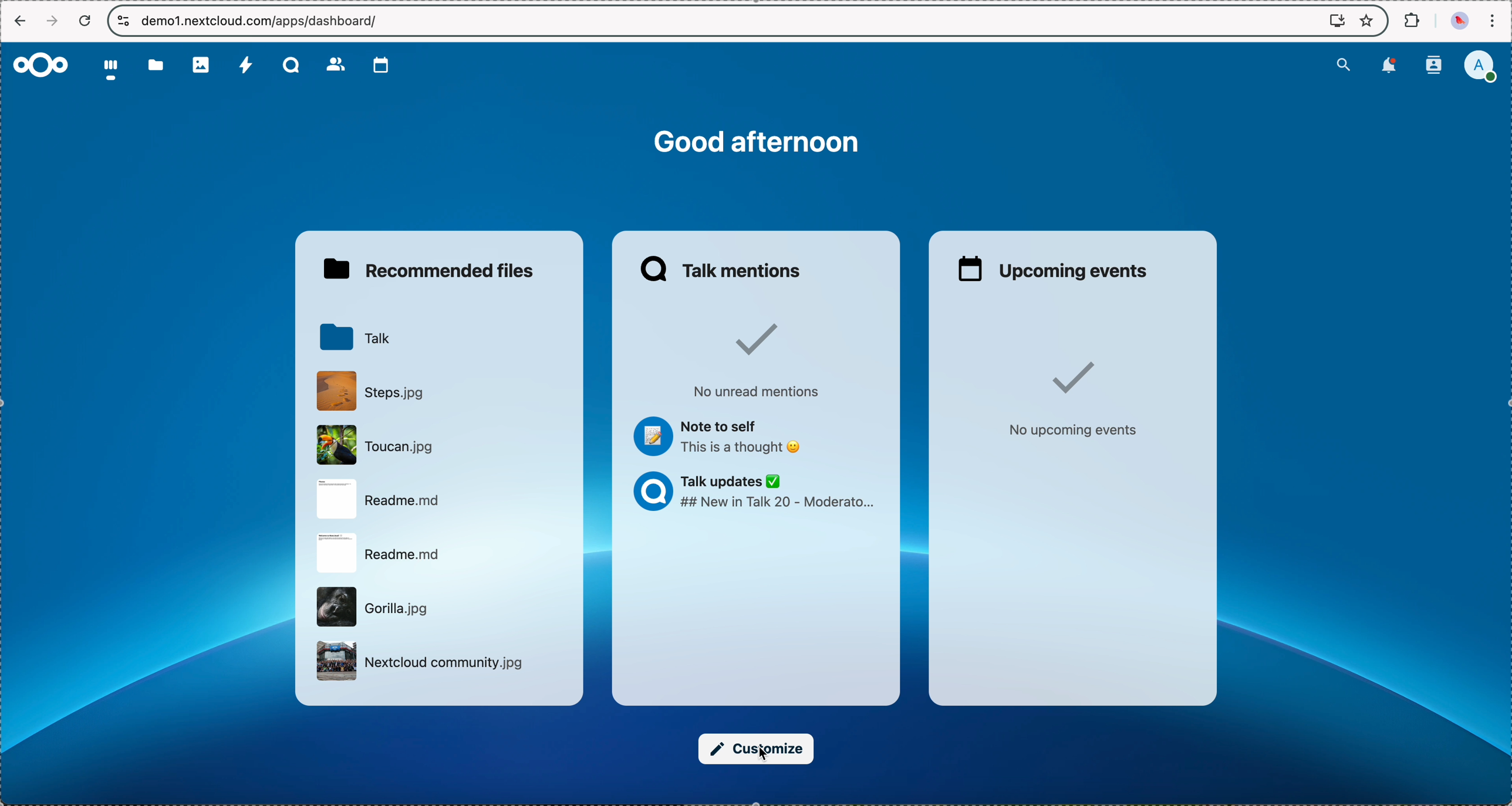 The height and width of the screenshot is (806, 1512). Describe the element at coordinates (1345, 64) in the screenshot. I see `search` at that location.